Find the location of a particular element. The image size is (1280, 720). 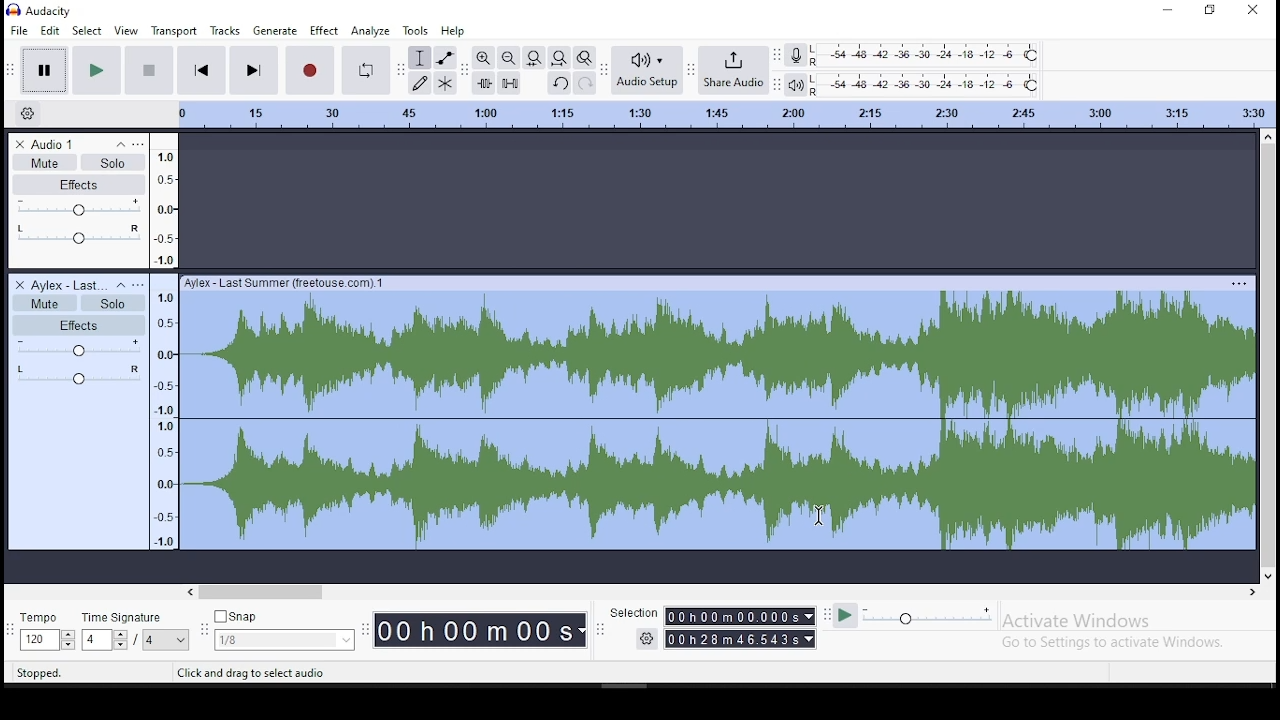

zoom toggle is located at coordinates (584, 58).